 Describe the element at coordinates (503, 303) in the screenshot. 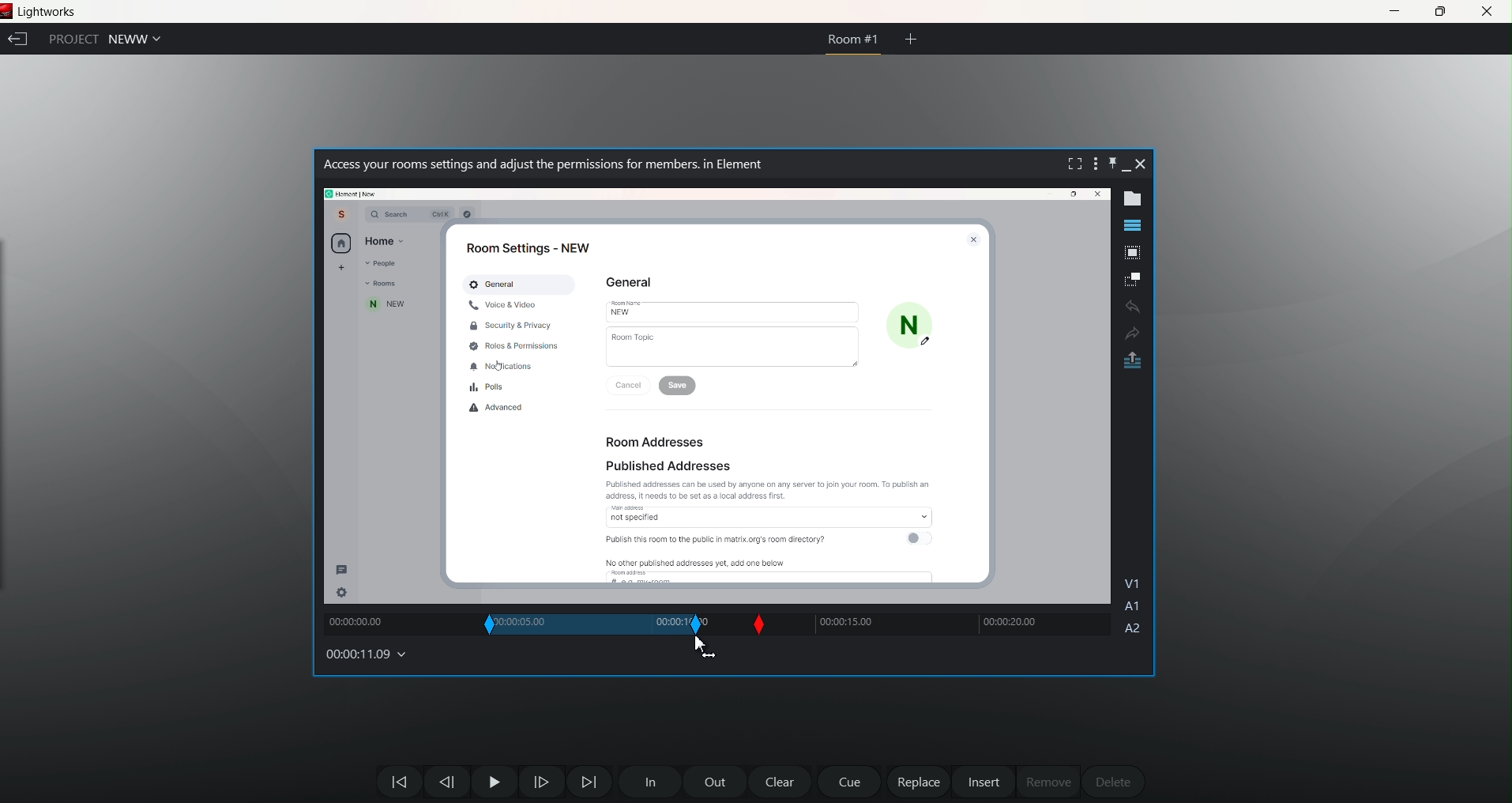

I see `Voice & Video` at that location.